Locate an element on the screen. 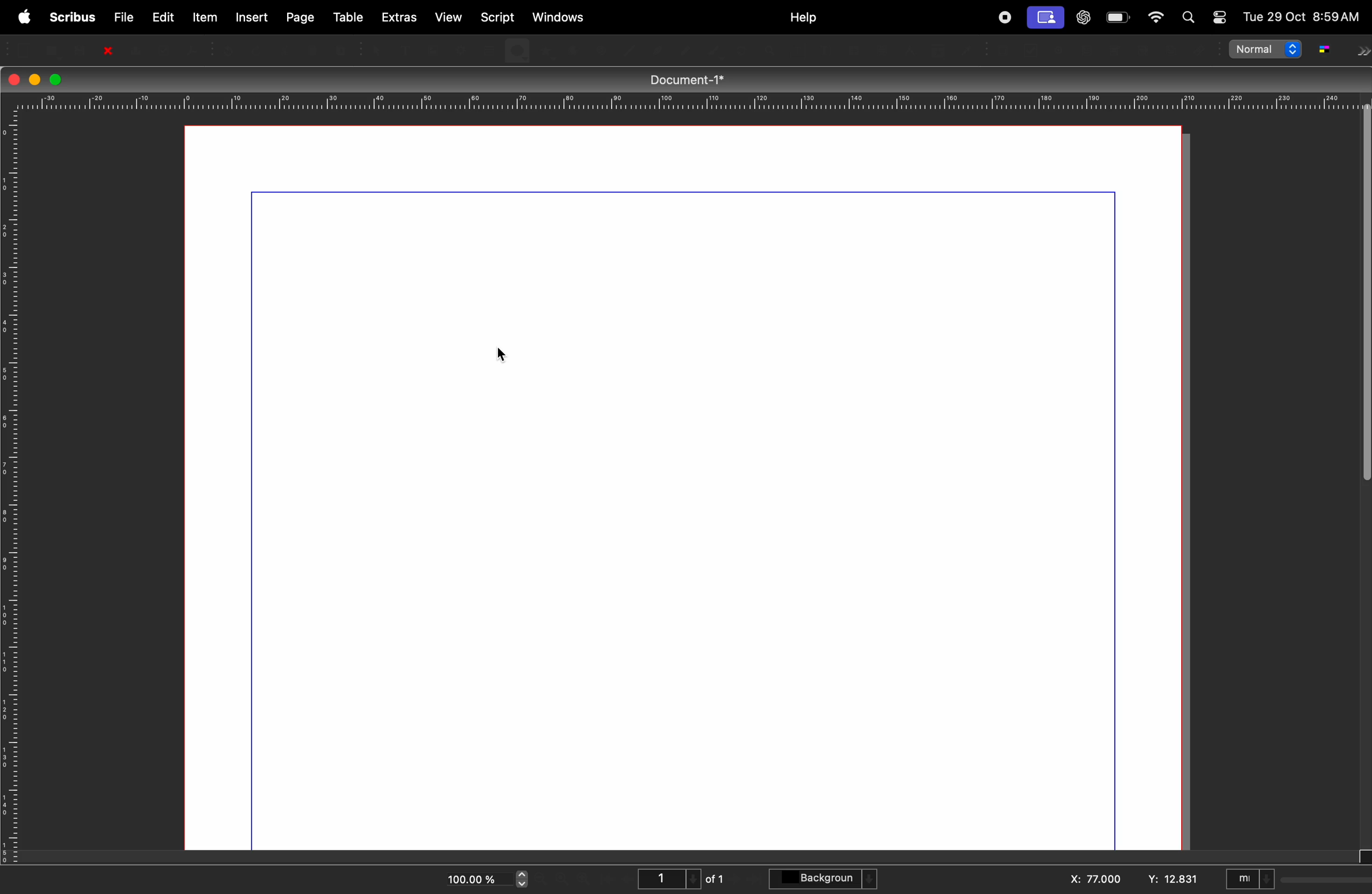 This screenshot has height=894, width=1372. find is located at coordinates (1192, 18).